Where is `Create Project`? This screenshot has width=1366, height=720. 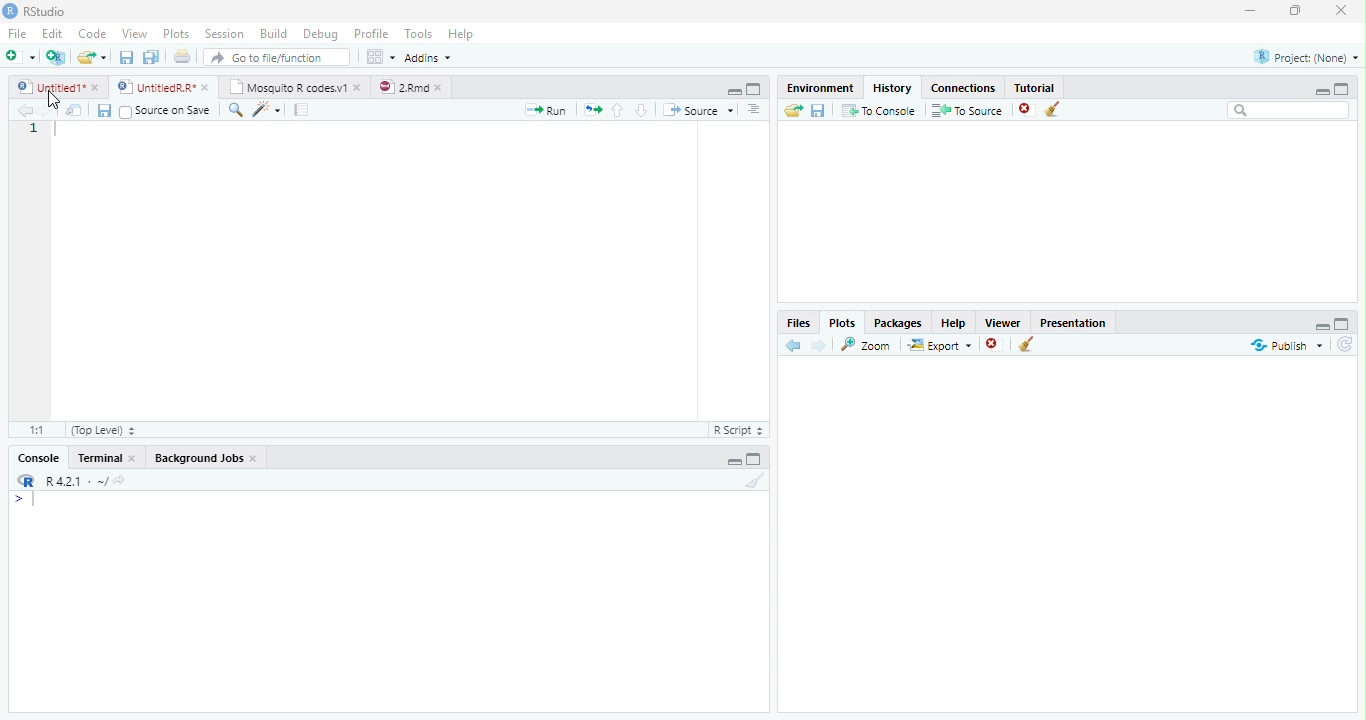
Create Project is located at coordinates (56, 58).